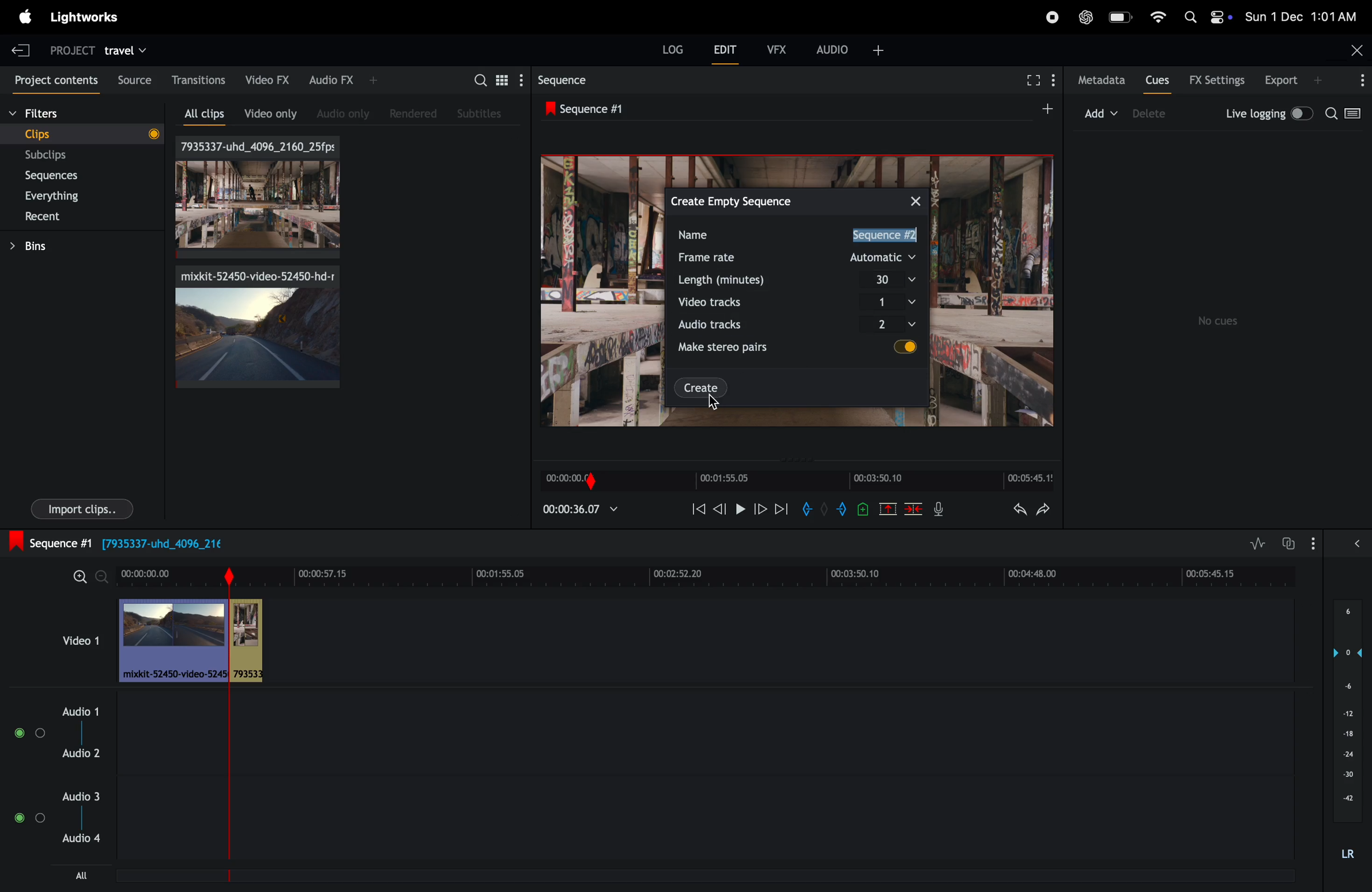  Describe the element at coordinates (728, 347) in the screenshot. I see `make stereo pairs` at that location.